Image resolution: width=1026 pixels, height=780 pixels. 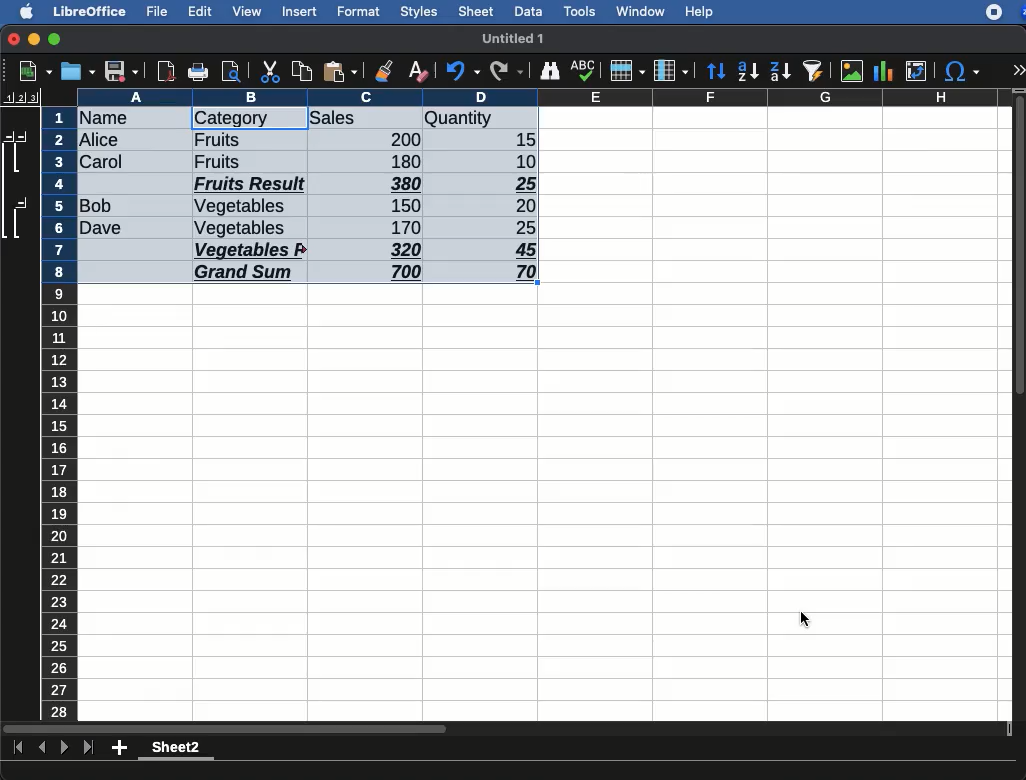 What do you see at coordinates (250, 183) in the screenshot?
I see `Fruits result` at bounding box center [250, 183].